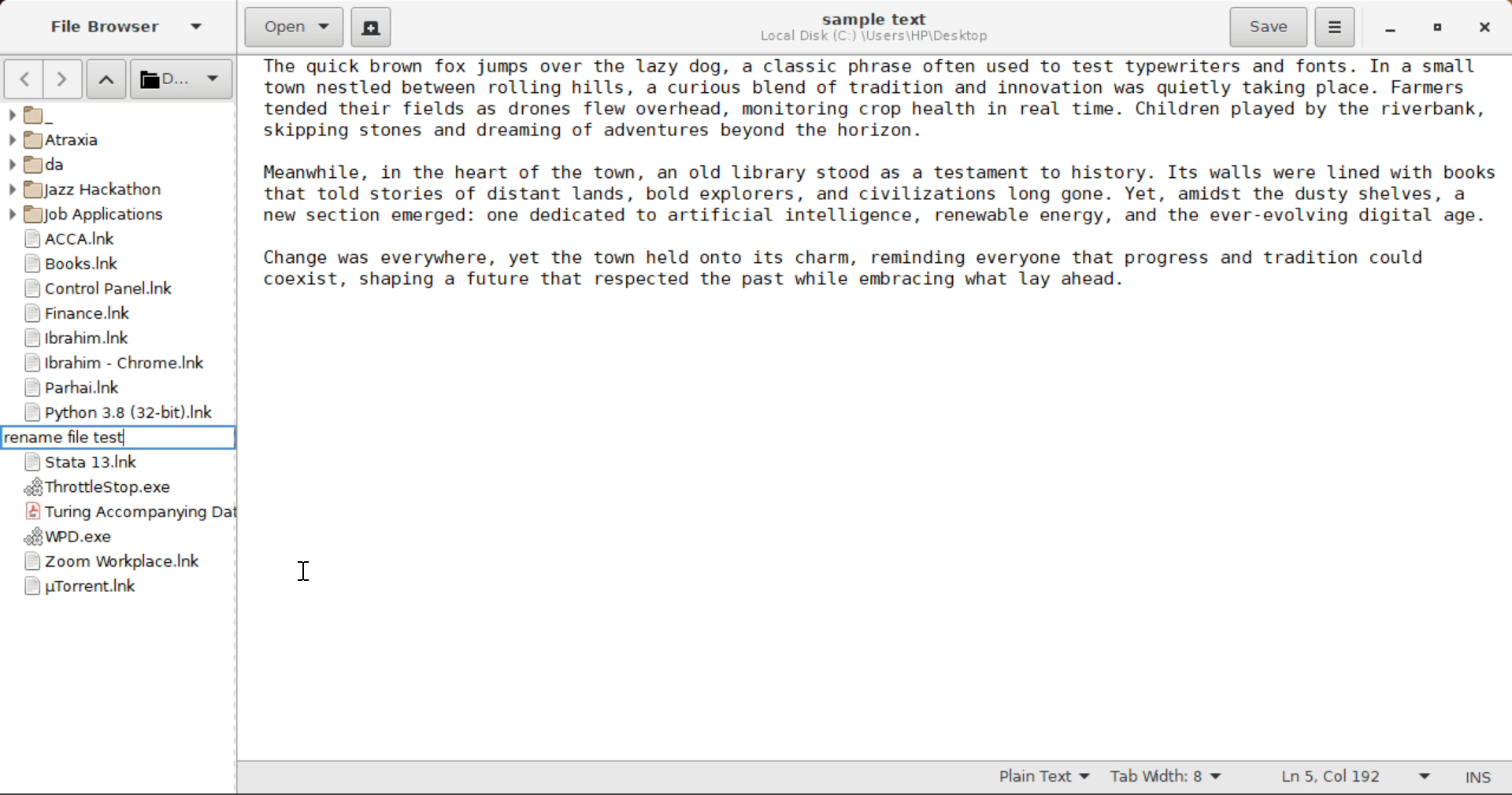 The width and height of the screenshot is (1512, 795). Describe the element at coordinates (117, 264) in the screenshot. I see `Books Folder Shortcut Link` at that location.